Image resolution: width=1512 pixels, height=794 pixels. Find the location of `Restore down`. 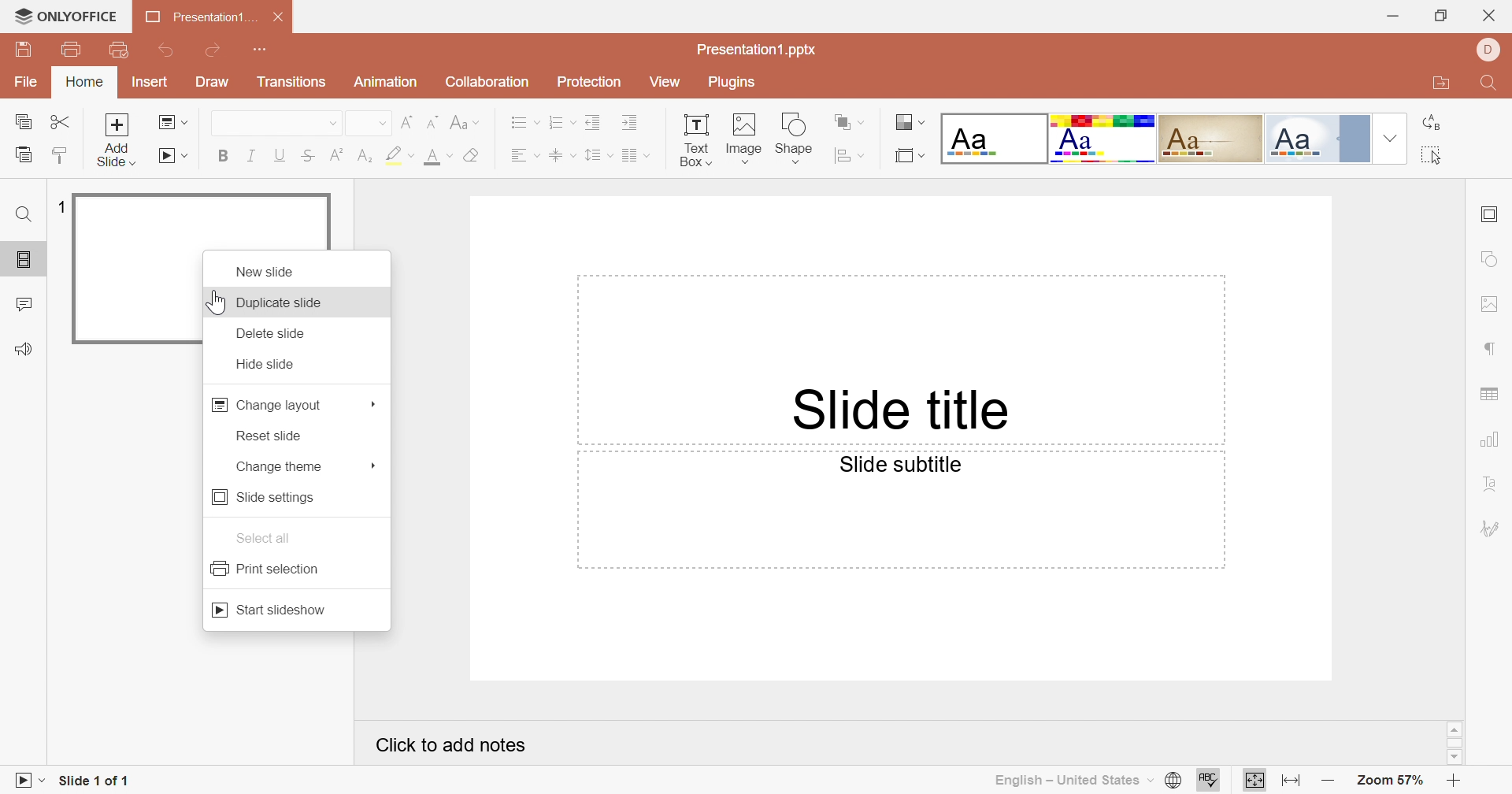

Restore down is located at coordinates (1438, 14).